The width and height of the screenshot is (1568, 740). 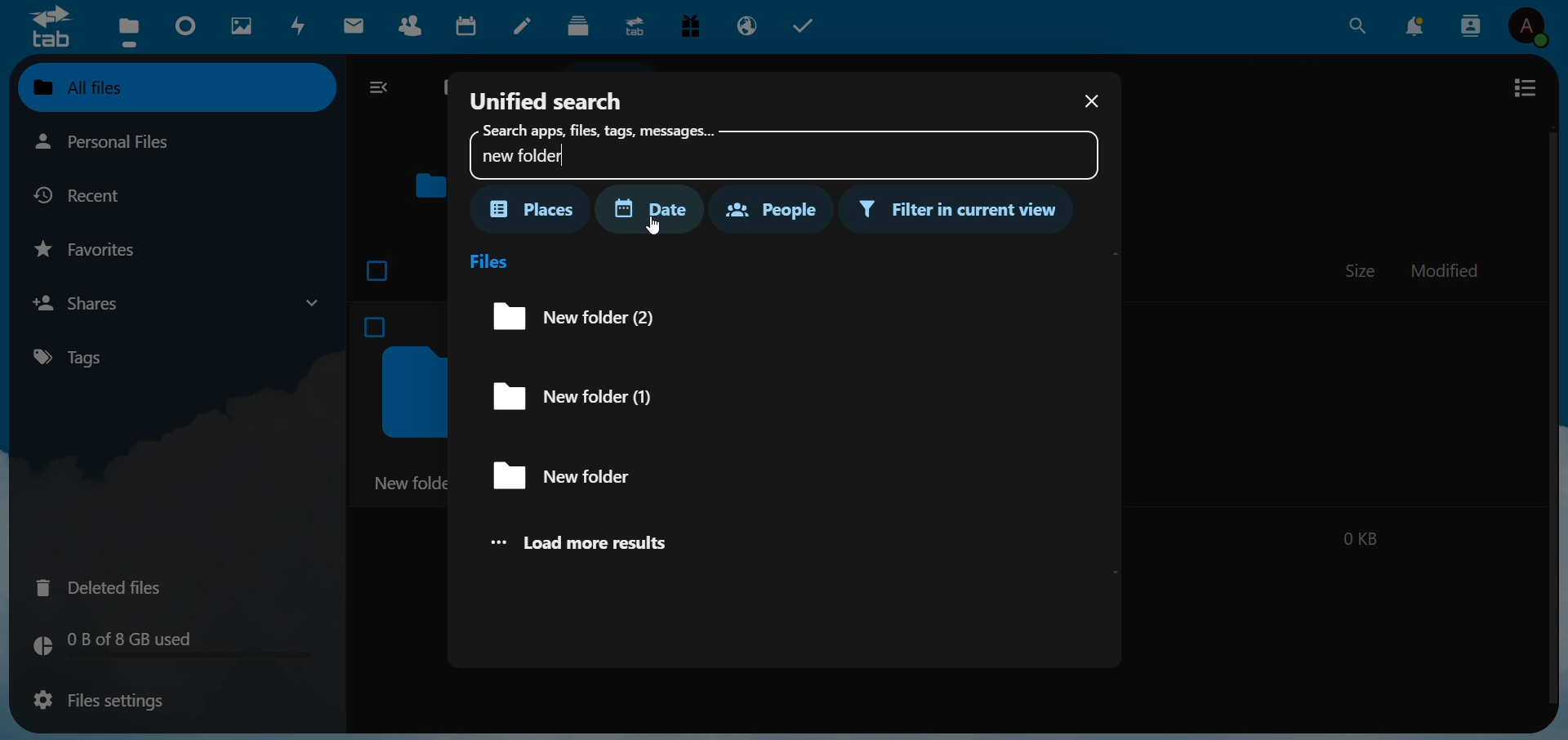 What do you see at coordinates (778, 150) in the screenshot?
I see `new folder` at bounding box center [778, 150].